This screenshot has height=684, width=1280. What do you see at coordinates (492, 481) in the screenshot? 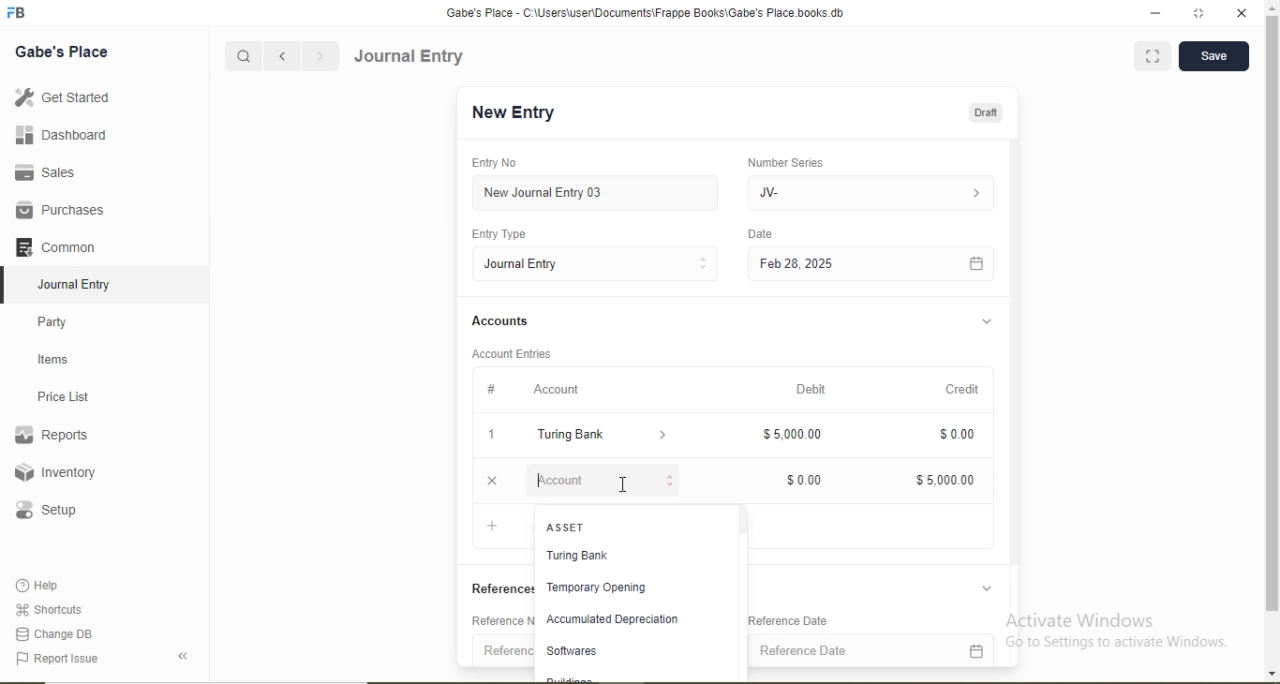
I see `Close` at bounding box center [492, 481].